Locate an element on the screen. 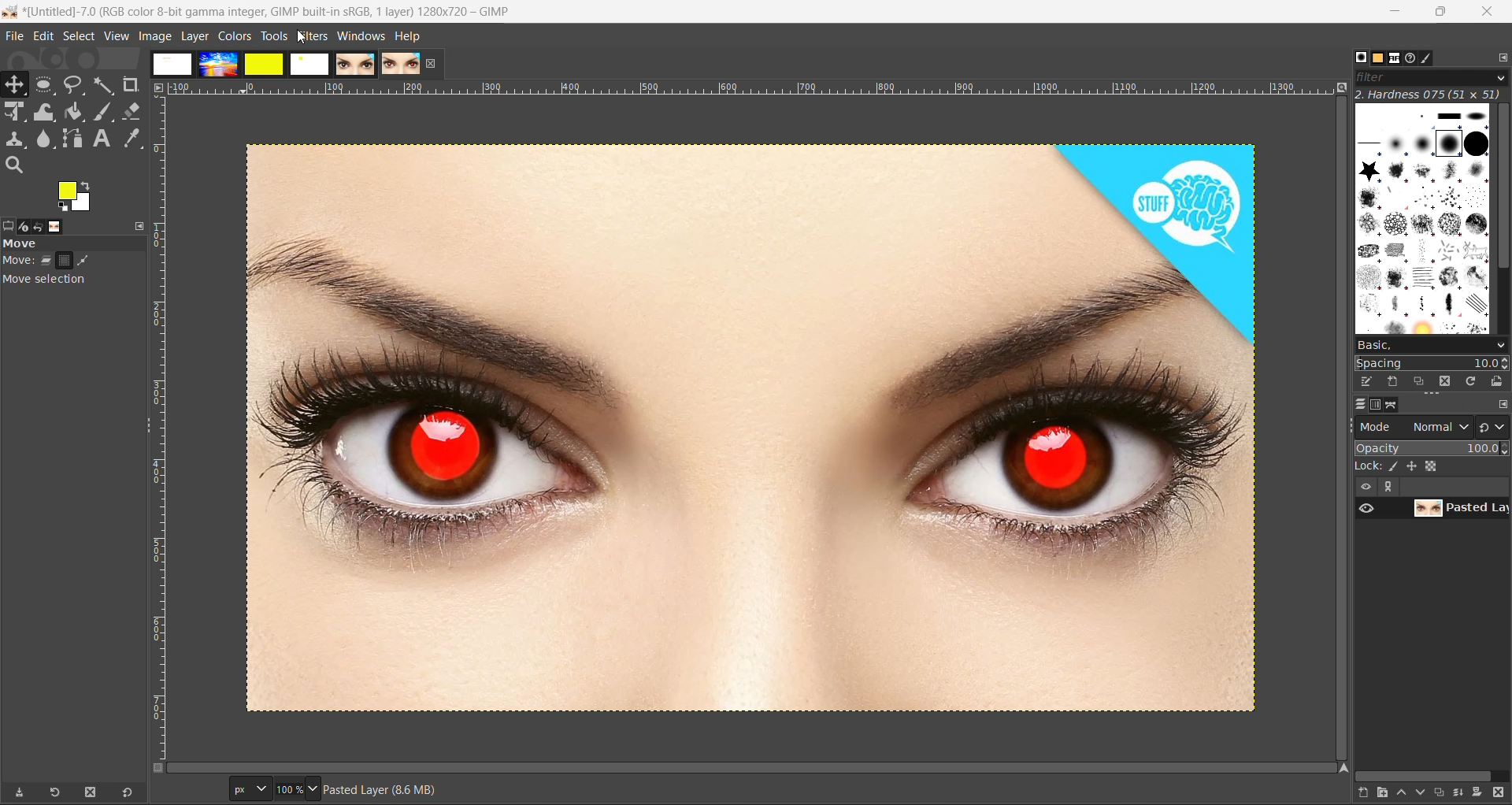  wrap transform is located at coordinates (45, 112).